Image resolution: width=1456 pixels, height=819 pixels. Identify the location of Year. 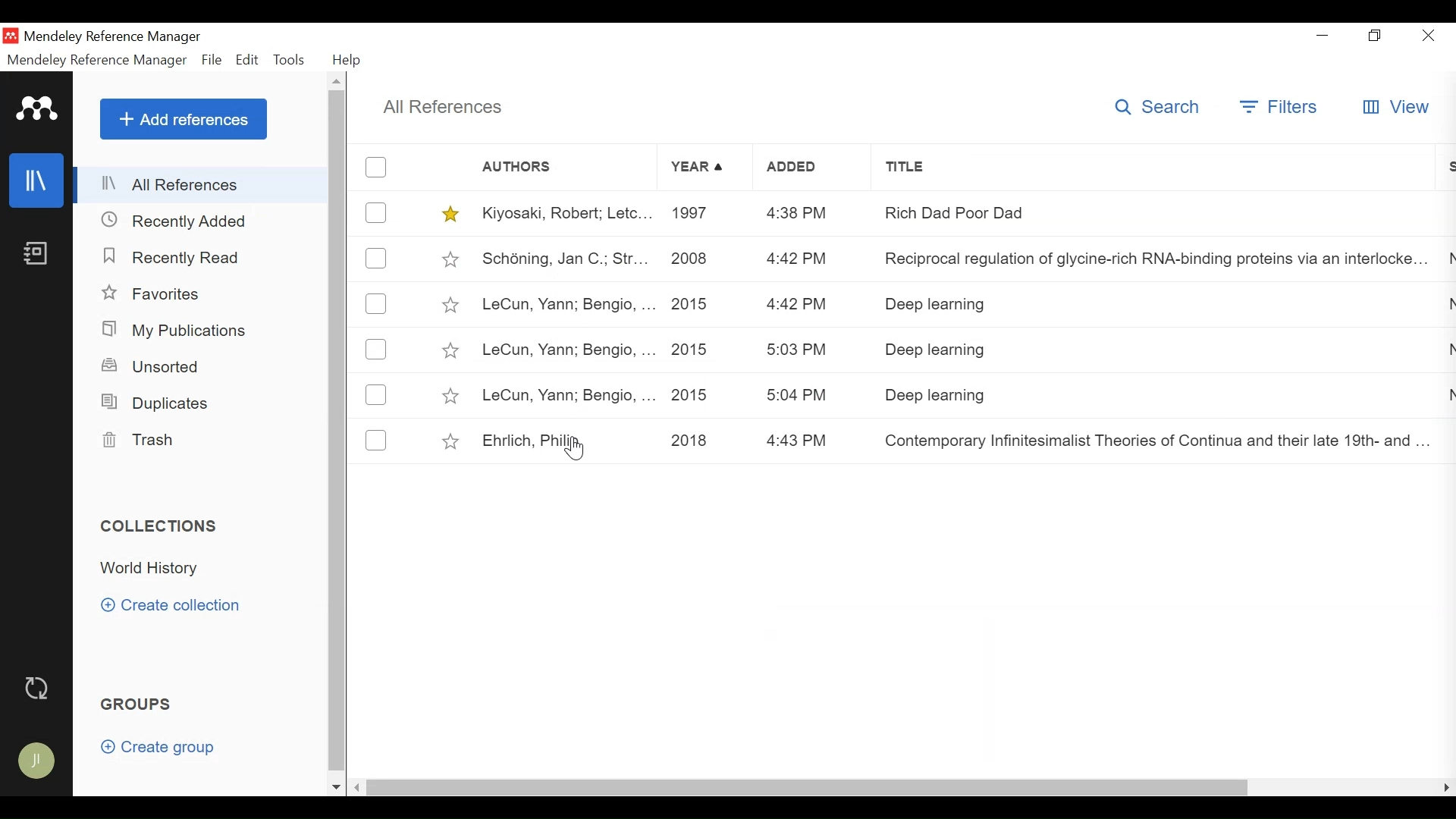
(700, 168).